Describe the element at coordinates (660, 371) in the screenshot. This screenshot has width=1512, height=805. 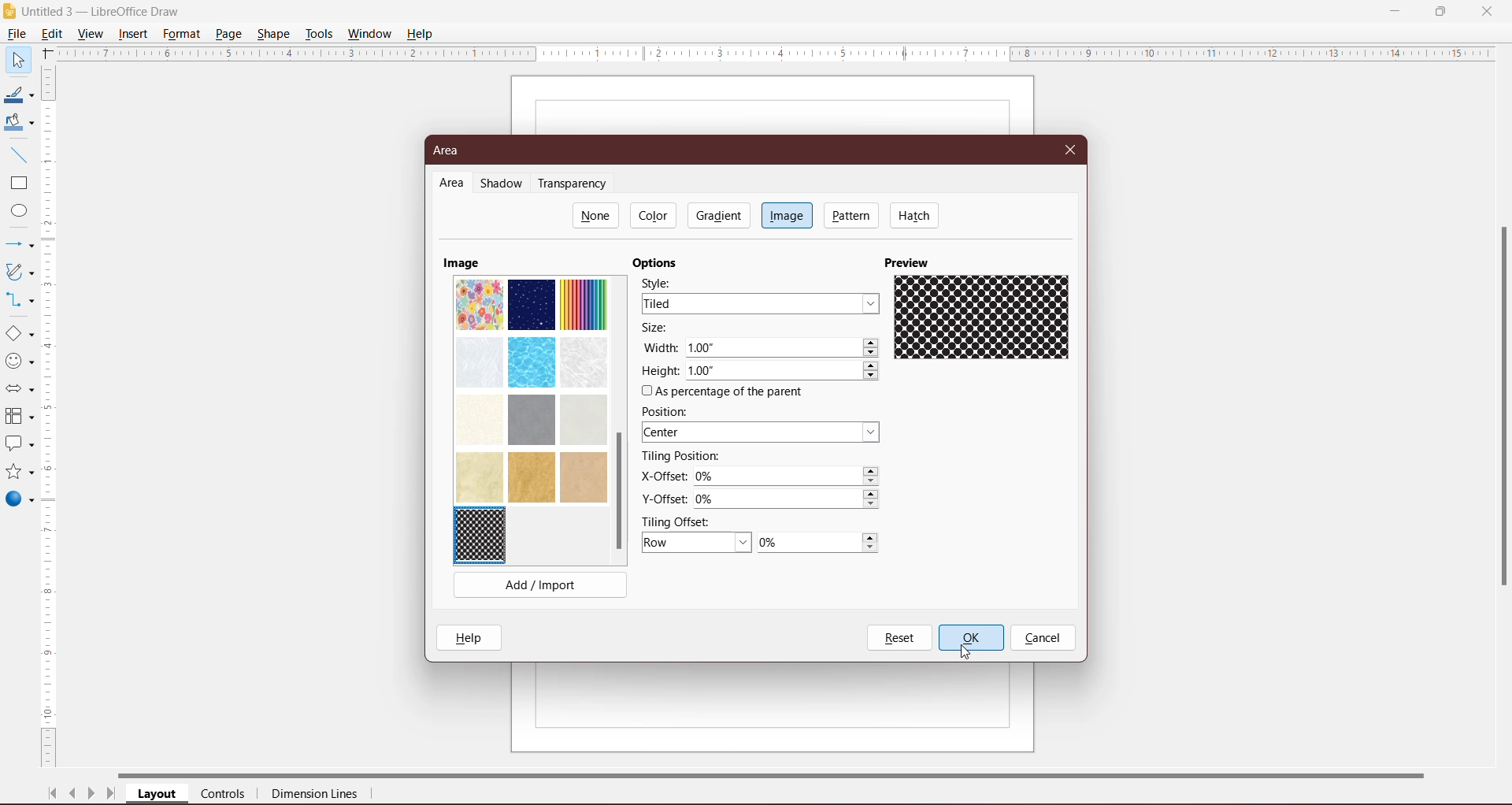
I see `Height` at that location.